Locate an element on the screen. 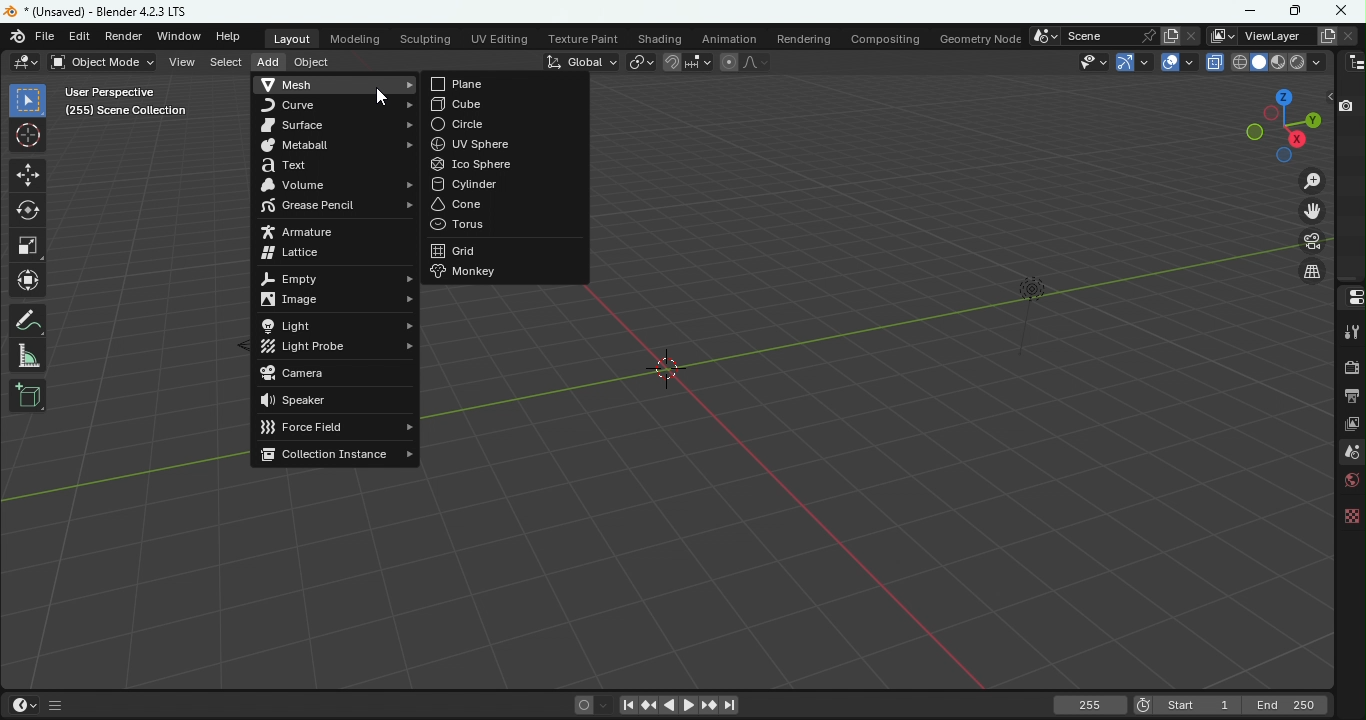 The image size is (1366, 720). Curve is located at coordinates (338, 105).